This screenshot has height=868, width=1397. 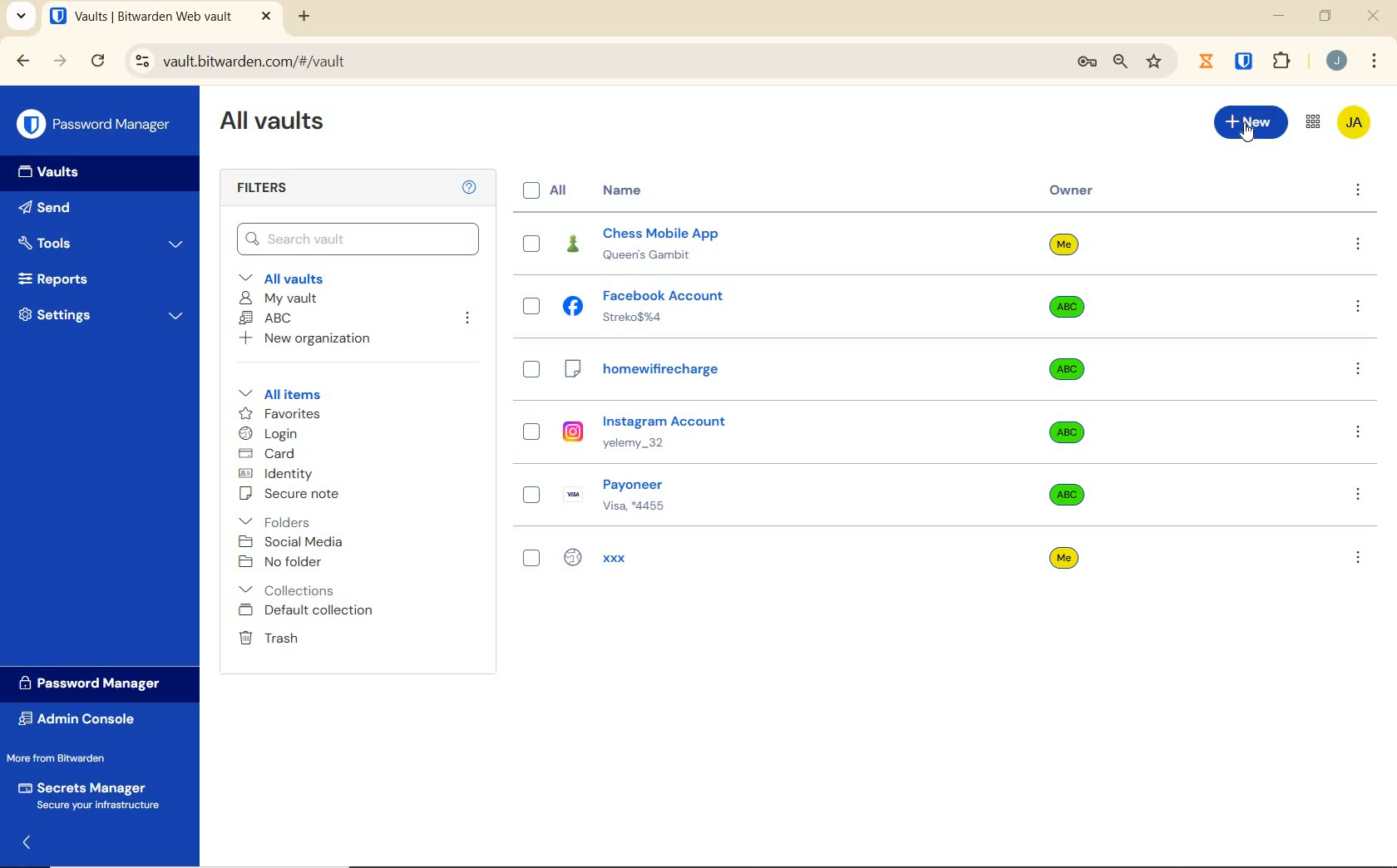 What do you see at coordinates (304, 18) in the screenshot?
I see `new tab` at bounding box center [304, 18].